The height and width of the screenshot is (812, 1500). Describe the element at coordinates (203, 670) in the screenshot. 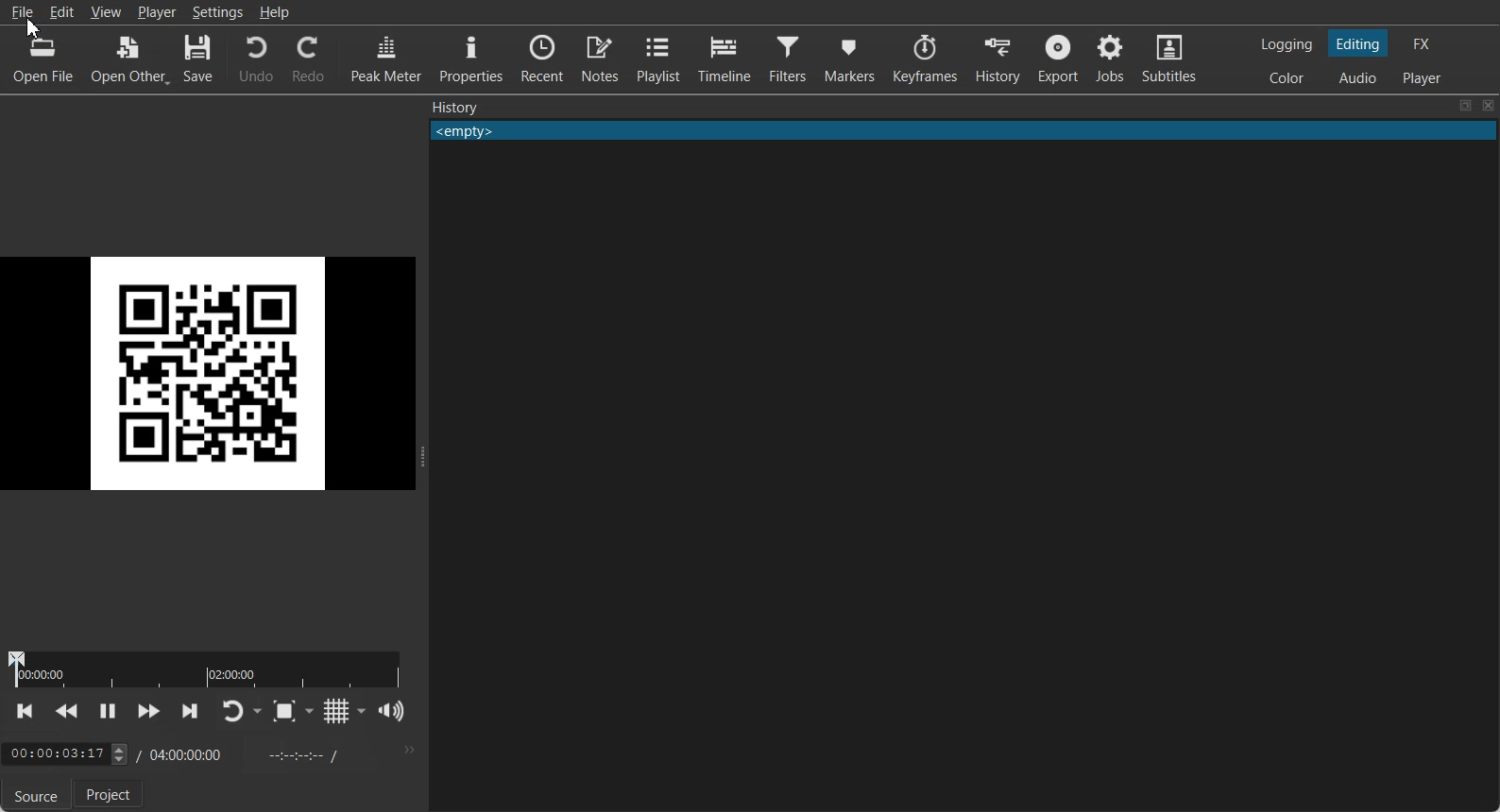

I see `duration` at that location.